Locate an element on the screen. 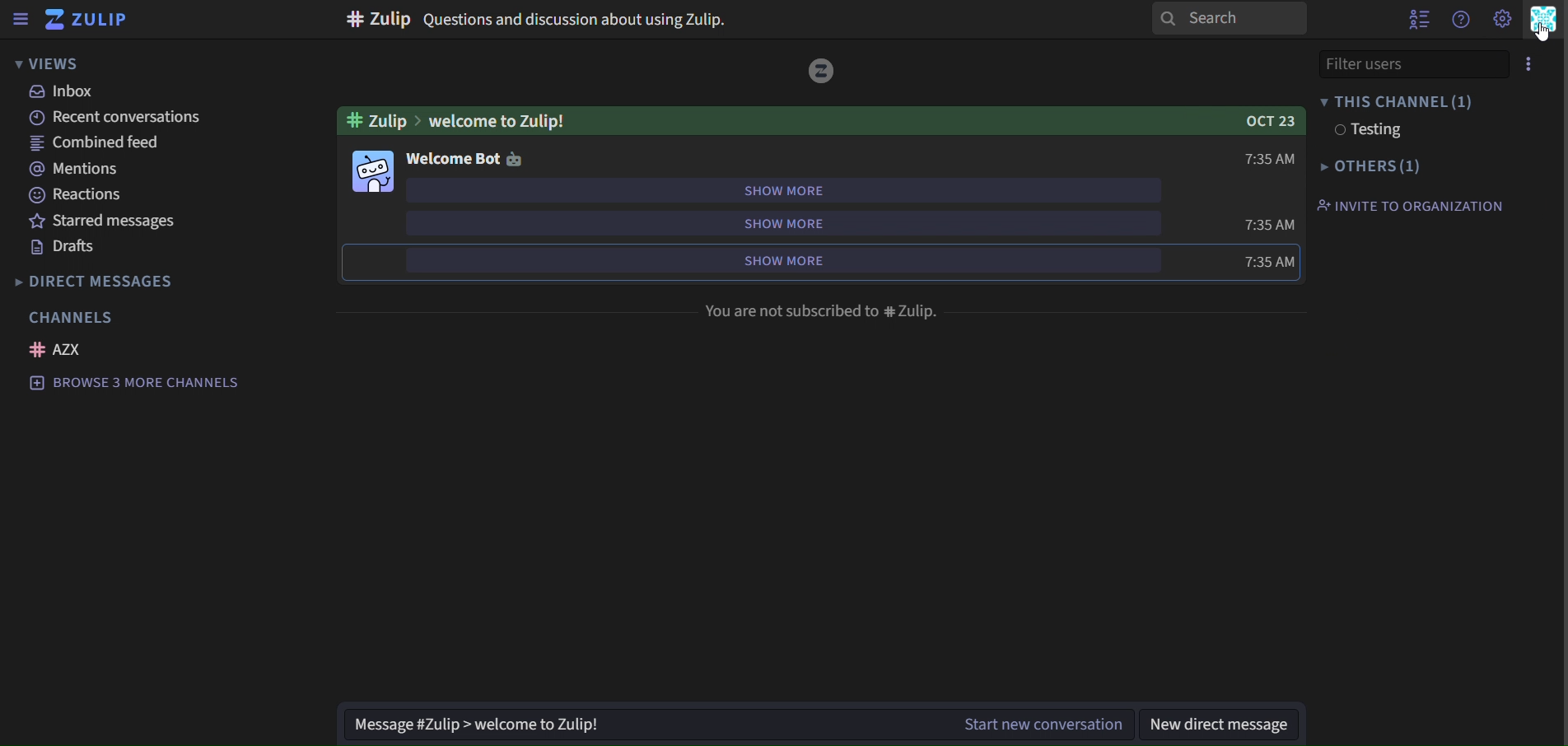  drafts is located at coordinates (61, 247).